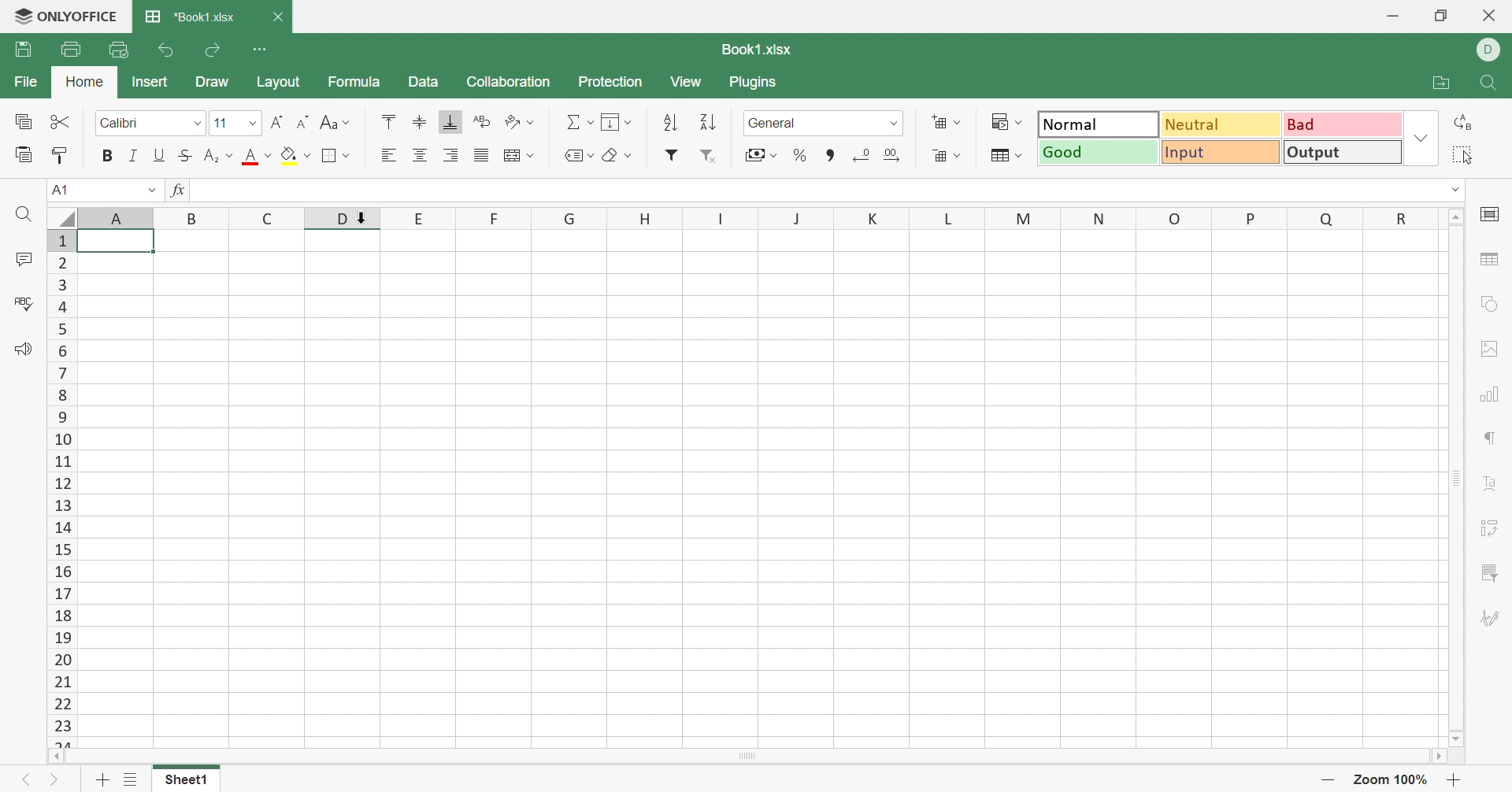 Image resolution: width=1512 pixels, height=792 pixels. Describe the element at coordinates (1454, 778) in the screenshot. I see `Zoom in` at that location.